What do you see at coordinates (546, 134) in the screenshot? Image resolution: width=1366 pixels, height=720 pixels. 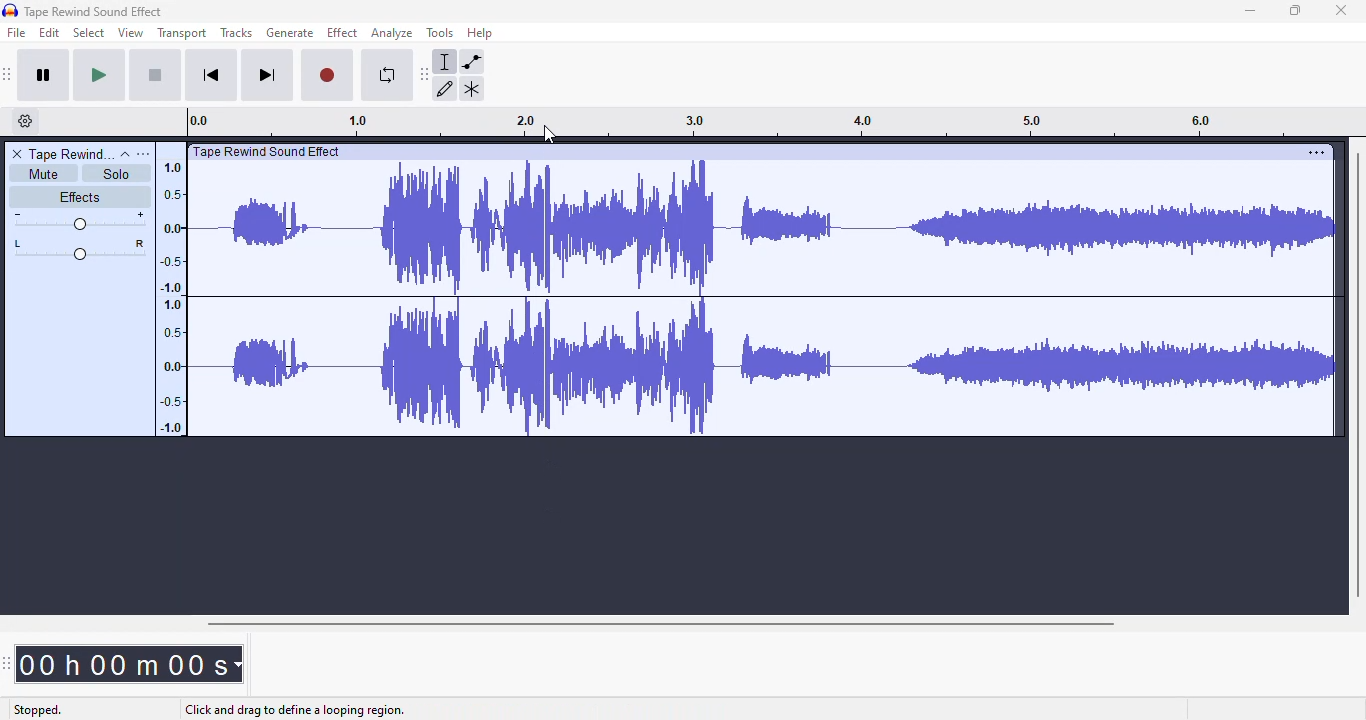 I see `cursor` at bounding box center [546, 134].